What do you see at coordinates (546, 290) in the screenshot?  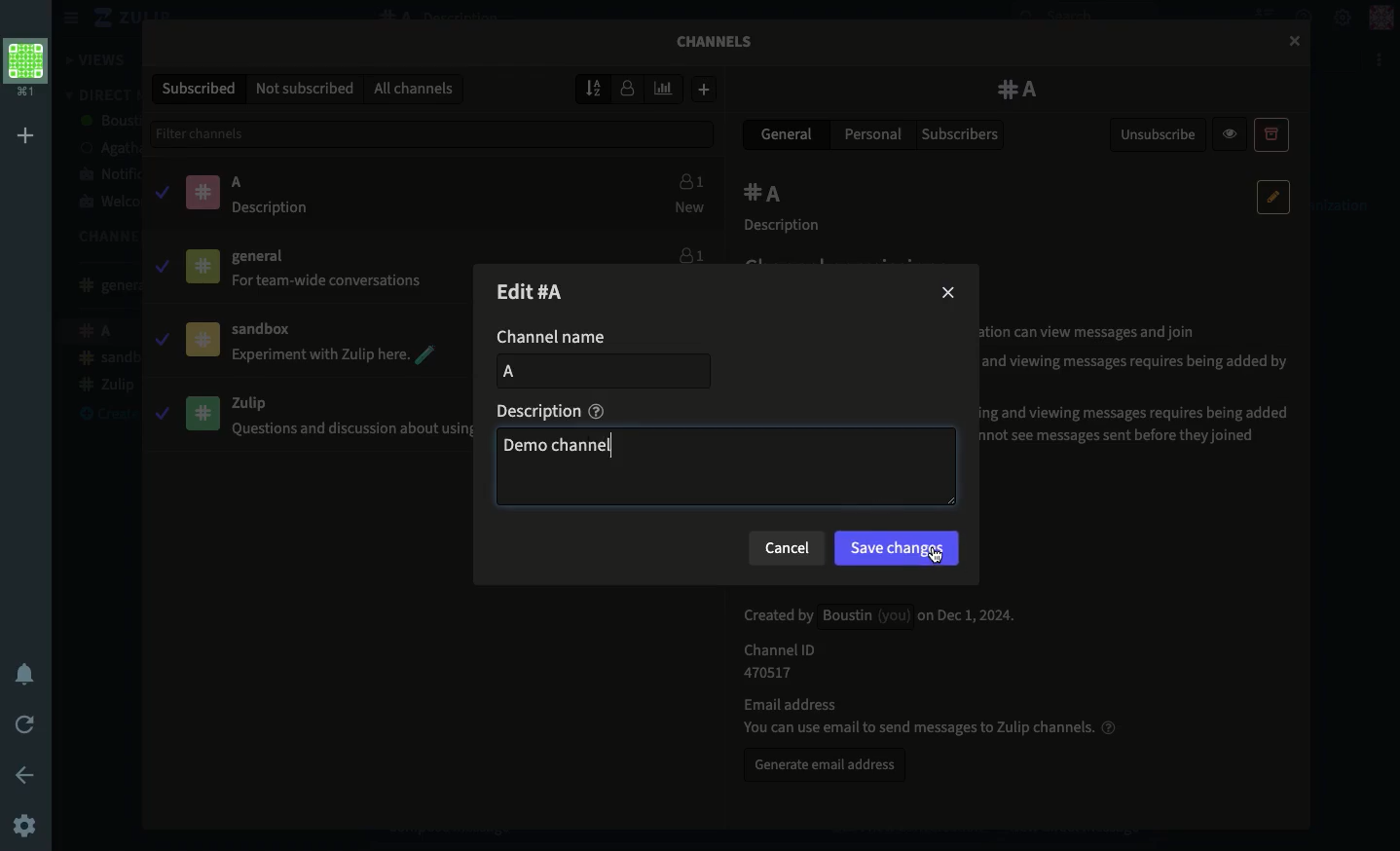 I see `Edit channel` at bounding box center [546, 290].